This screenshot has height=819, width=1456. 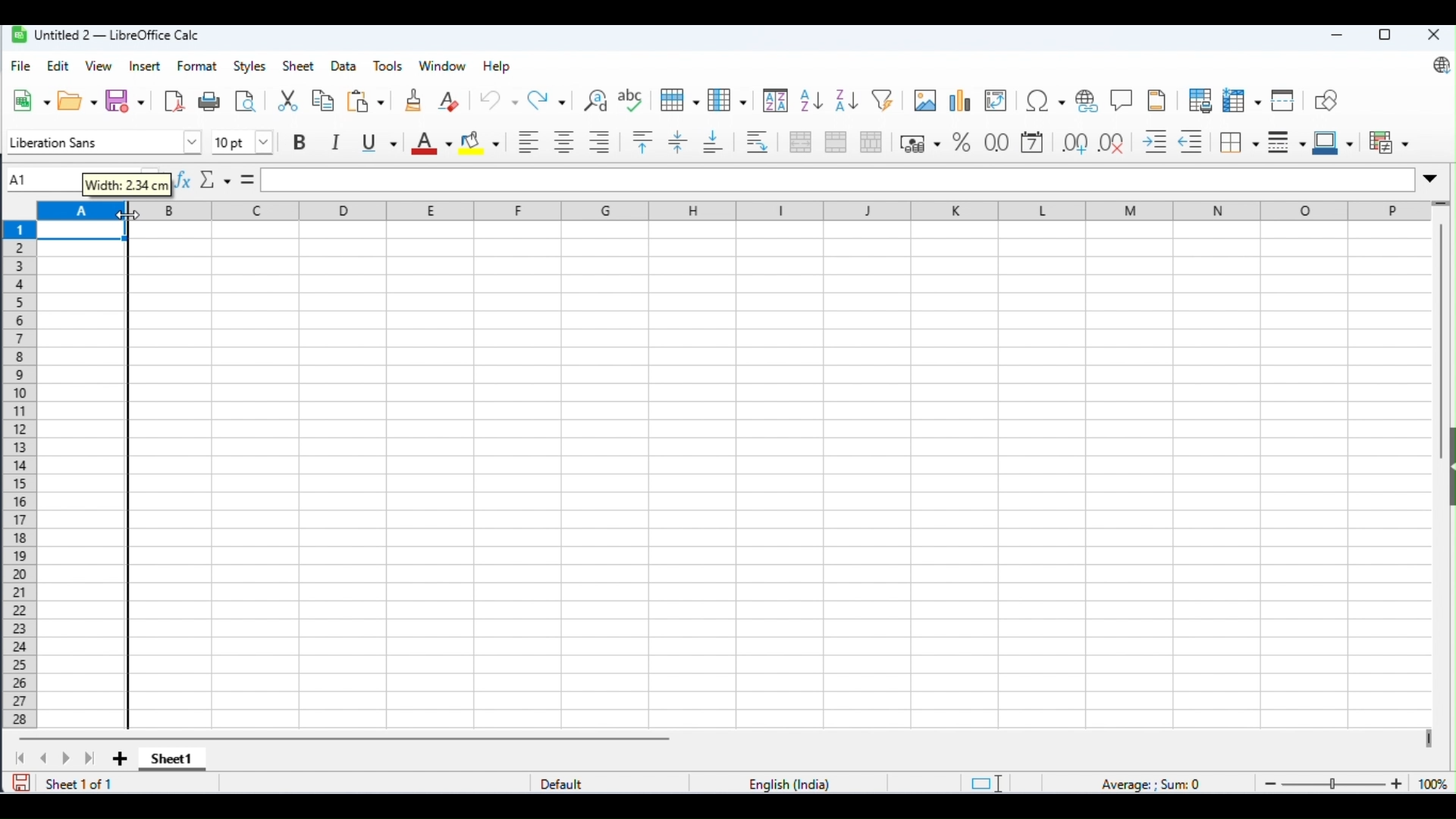 What do you see at coordinates (961, 142) in the screenshot?
I see `format as percent` at bounding box center [961, 142].